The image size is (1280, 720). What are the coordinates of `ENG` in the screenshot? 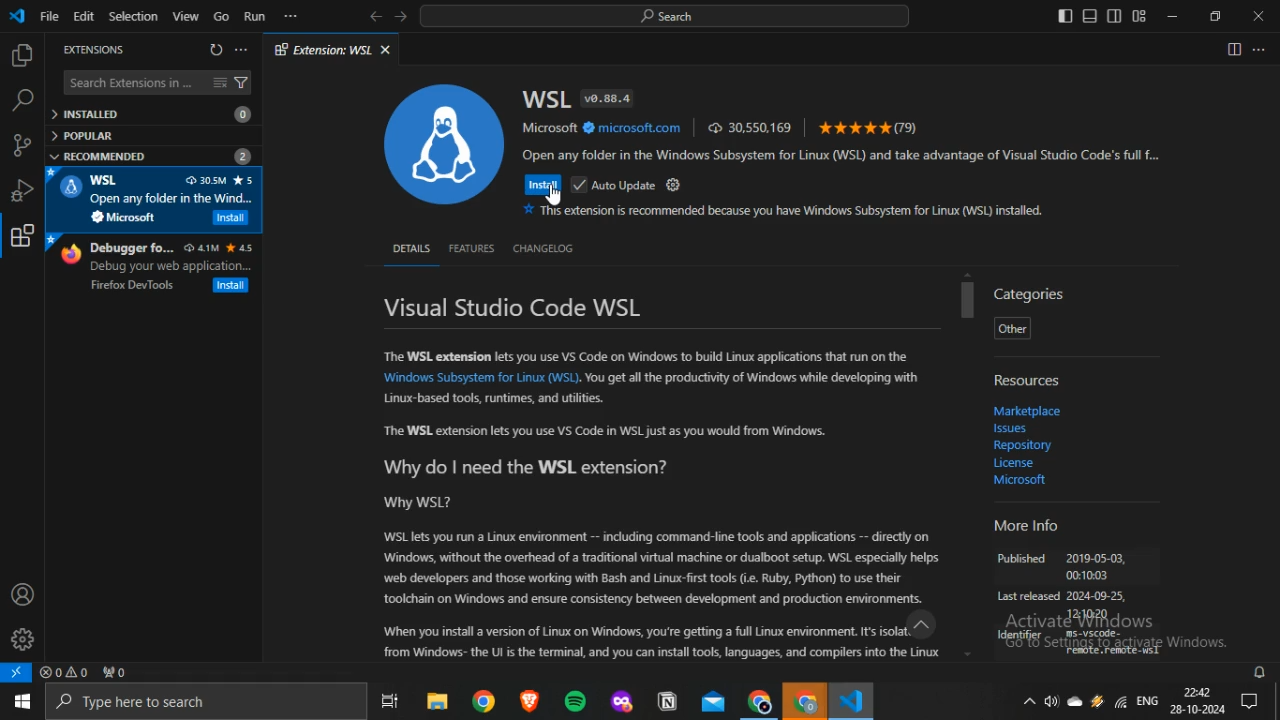 It's located at (1147, 700).